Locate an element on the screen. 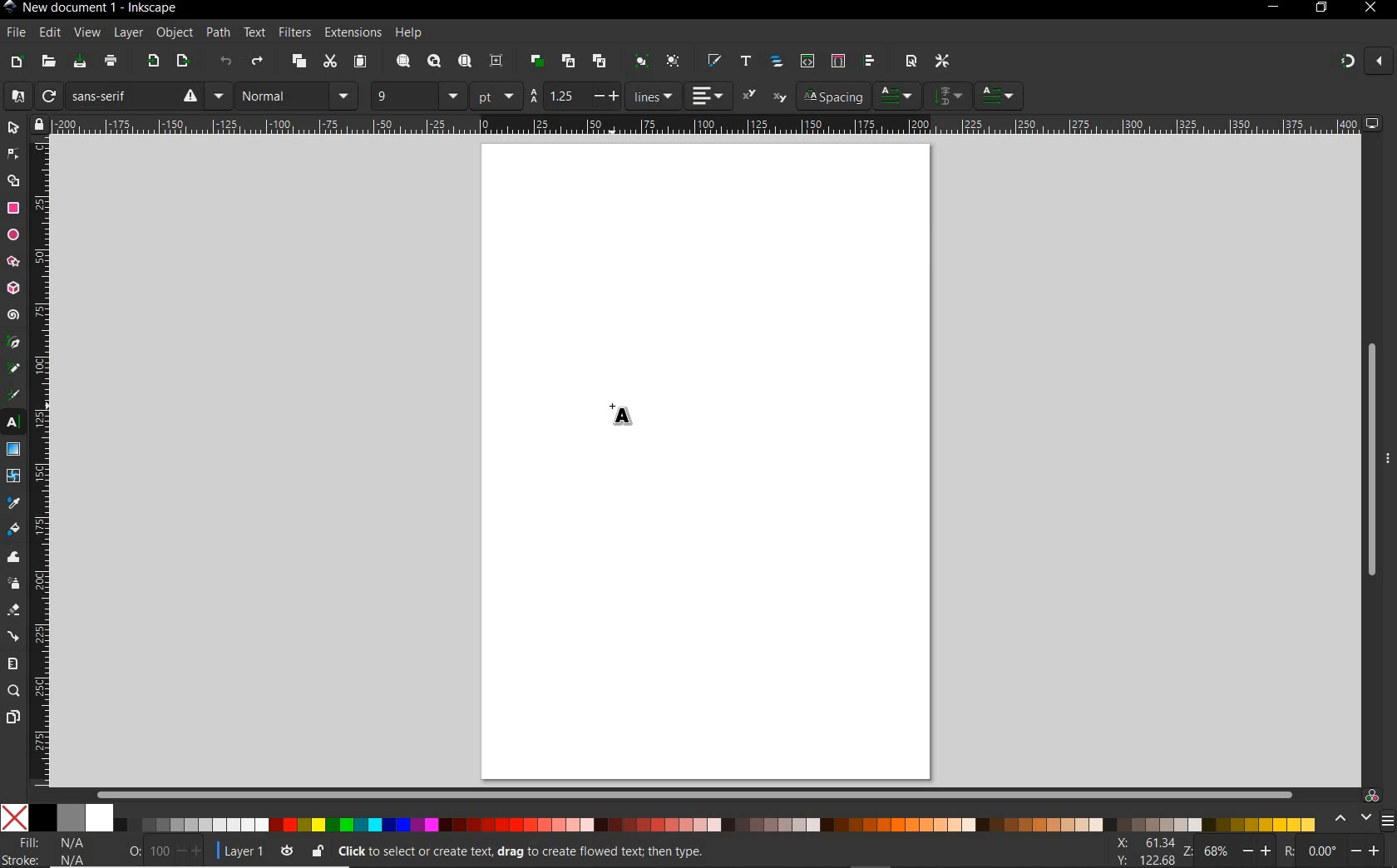 Image resolution: width=1397 pixels, height=868 pixels. object is located at coordinates (172, 33).